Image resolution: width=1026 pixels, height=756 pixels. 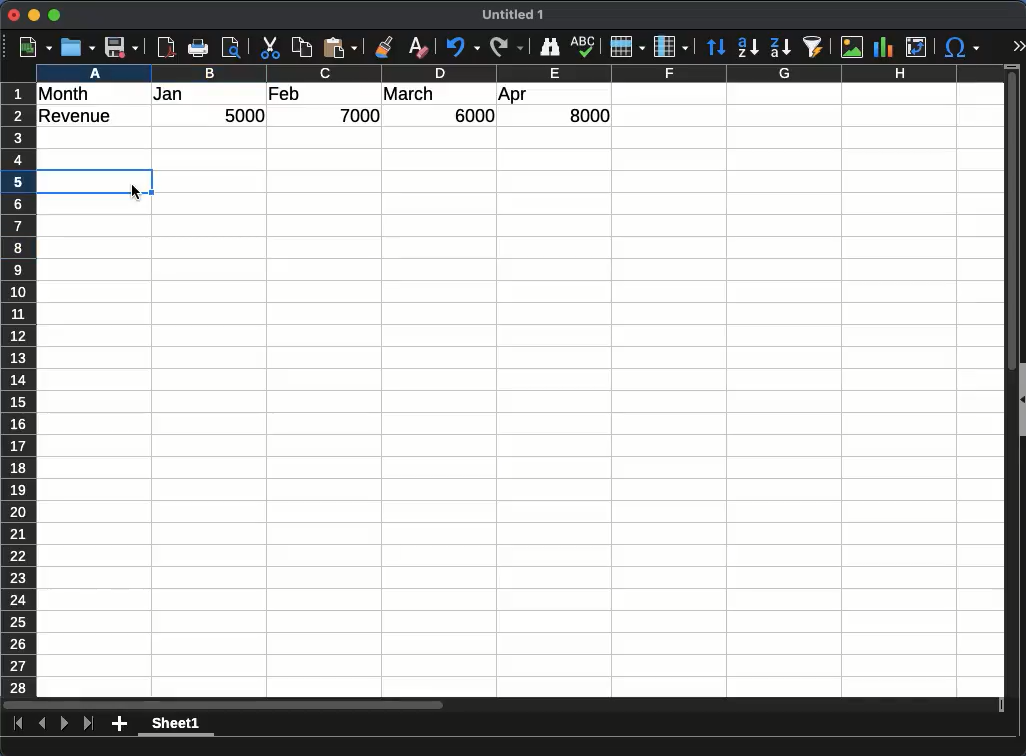 What do you see at coordinates (88, 723) in the screenshot?
I see `last sheet` at bounding box center [88, 723].